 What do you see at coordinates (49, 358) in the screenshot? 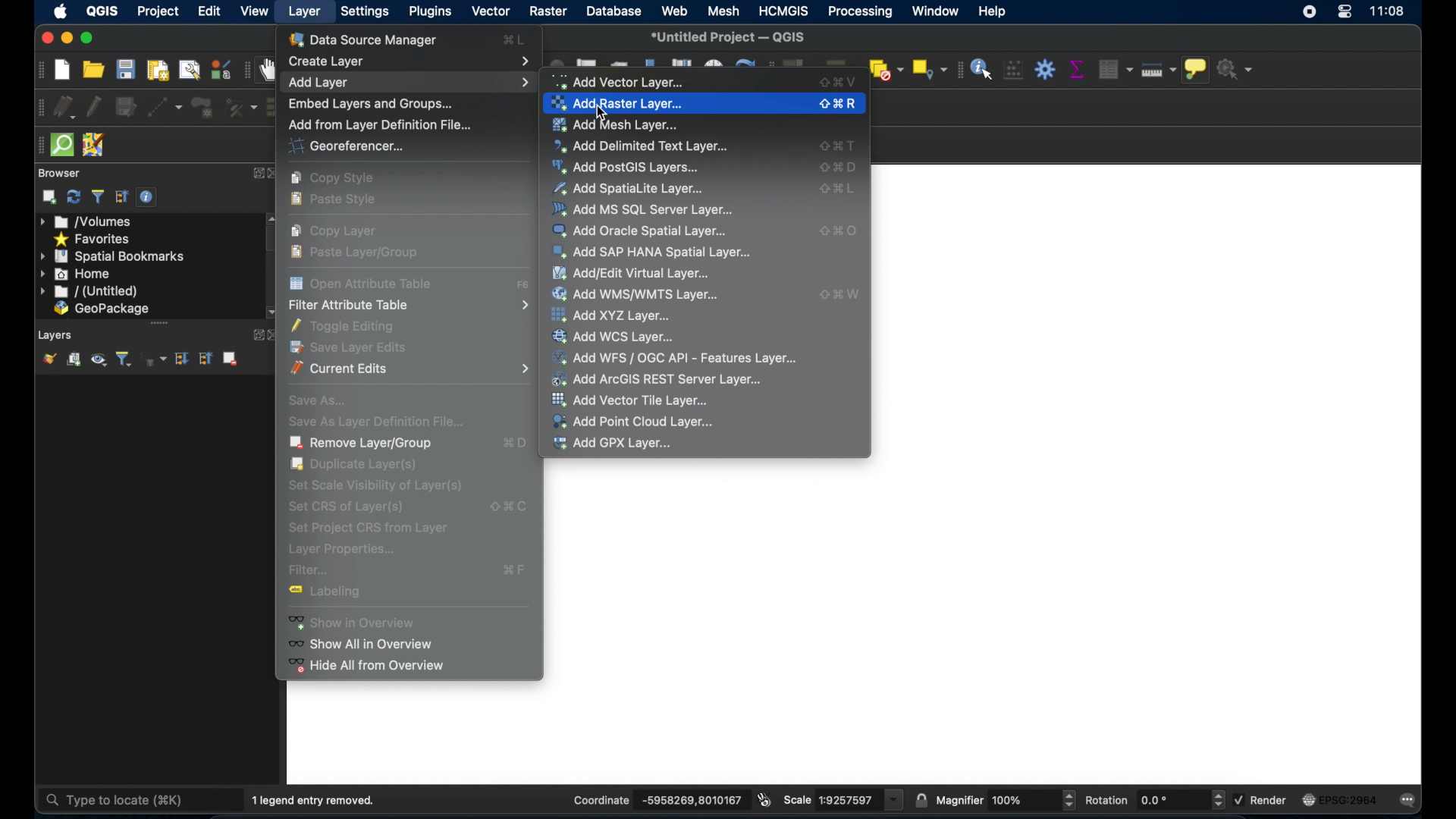
I see `open layer styling panel` at bounding box center [49, 358].